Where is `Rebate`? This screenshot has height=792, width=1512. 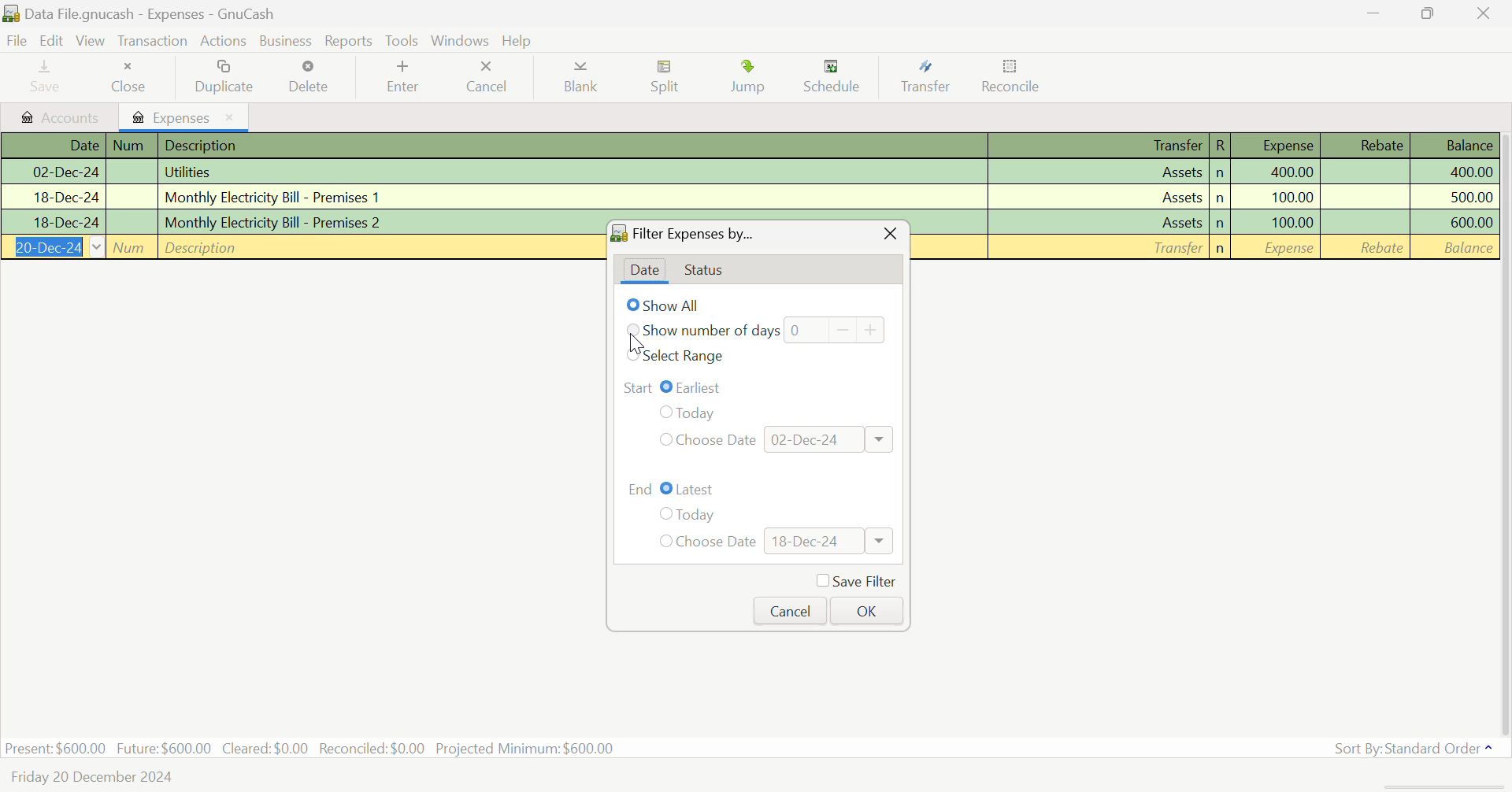
Rebate is located at coordinates (1365, 196).